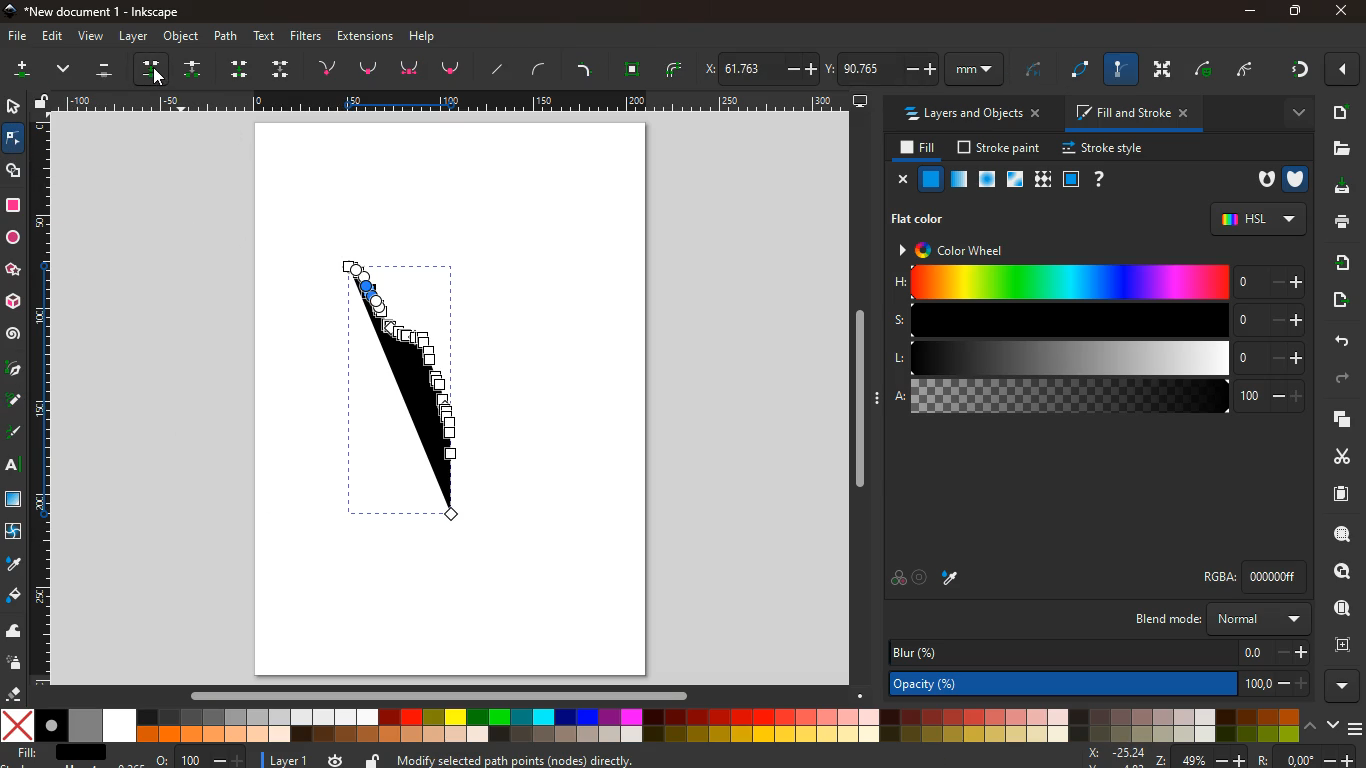  I want to click on fill and stroke, so click(1133, 112).